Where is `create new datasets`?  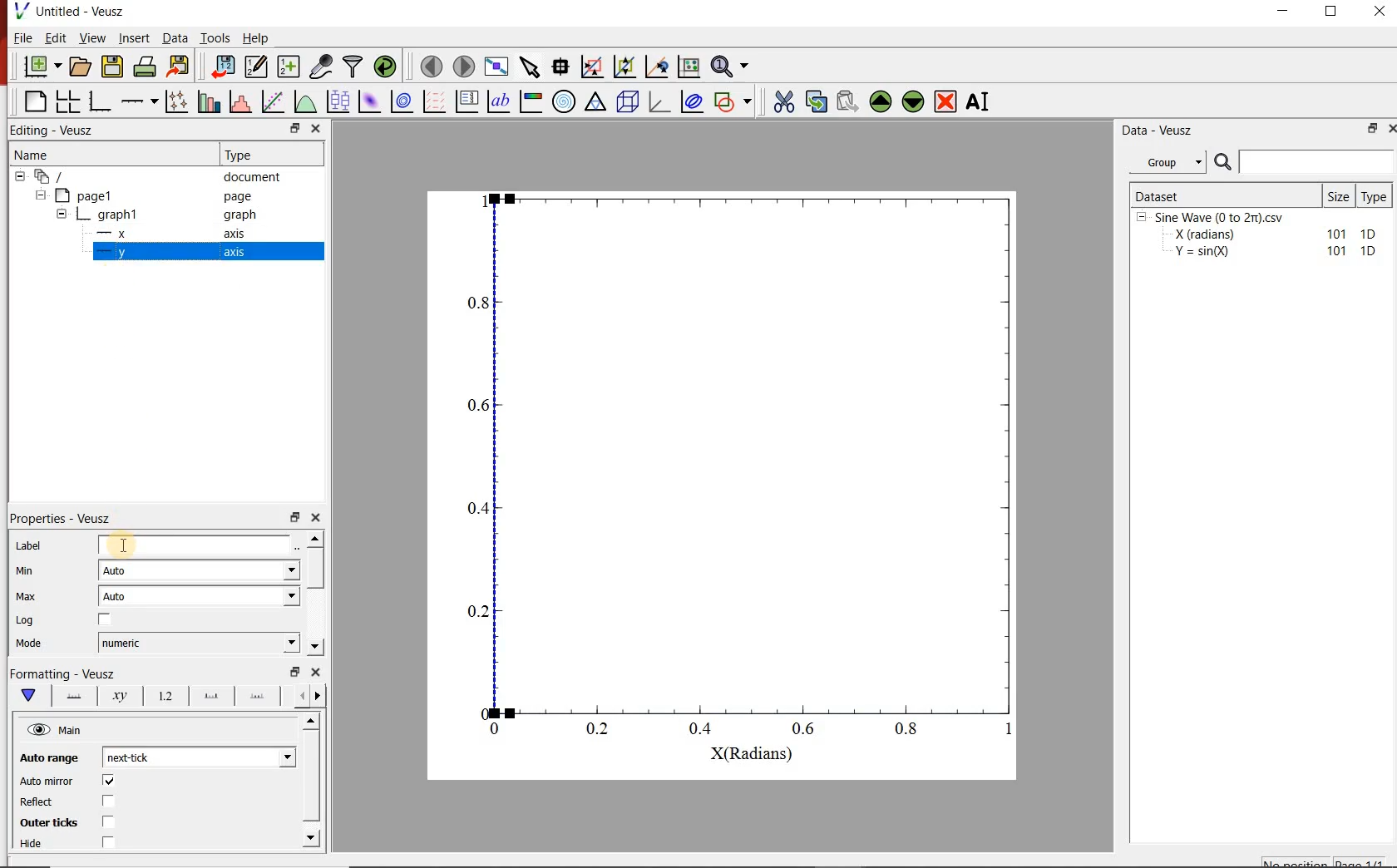
create new datasets is located at coordinates (289, 67).